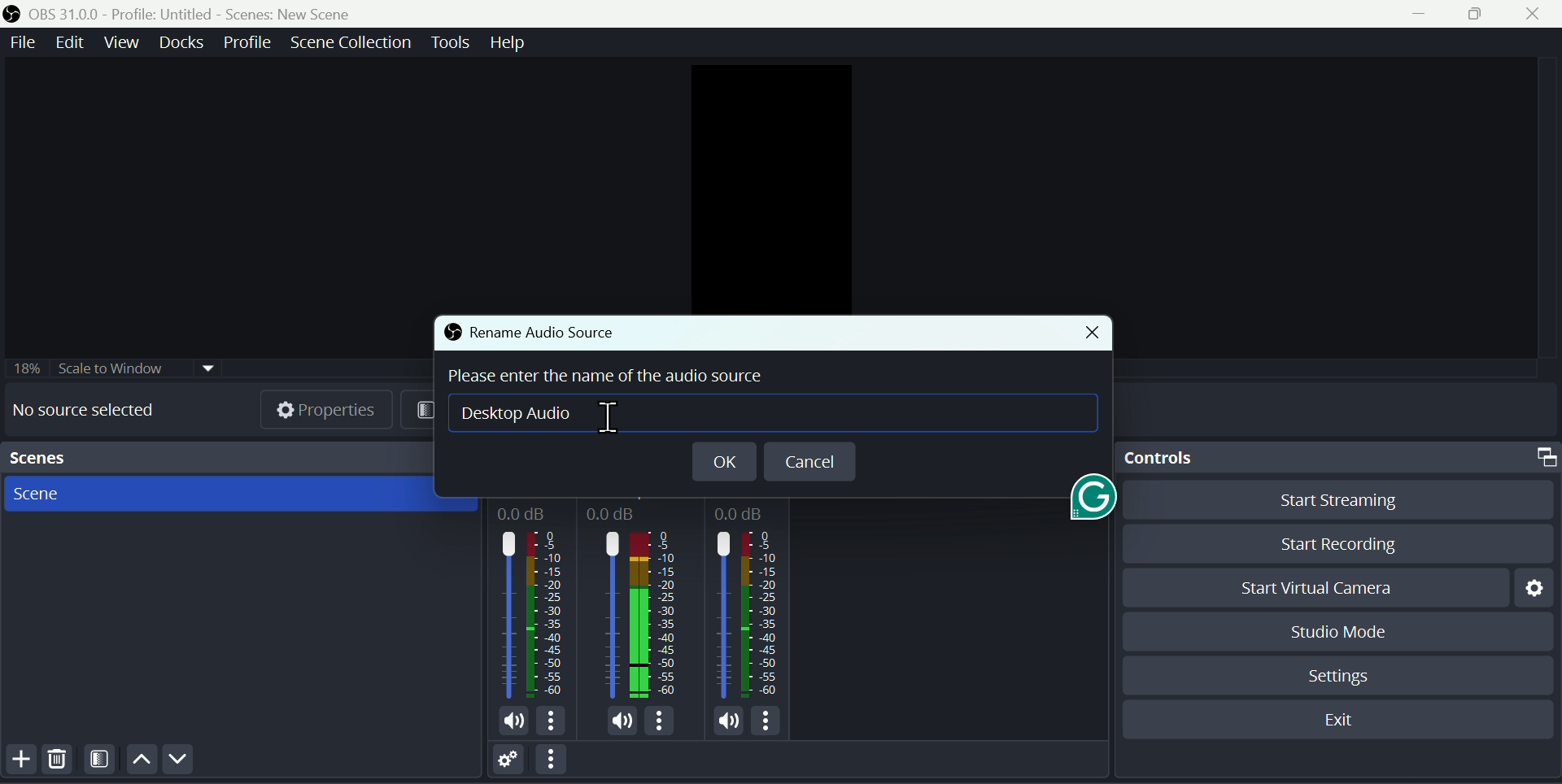  Describe the element at coordinates (20, 762) in the screenshot. I see `add` at that location.